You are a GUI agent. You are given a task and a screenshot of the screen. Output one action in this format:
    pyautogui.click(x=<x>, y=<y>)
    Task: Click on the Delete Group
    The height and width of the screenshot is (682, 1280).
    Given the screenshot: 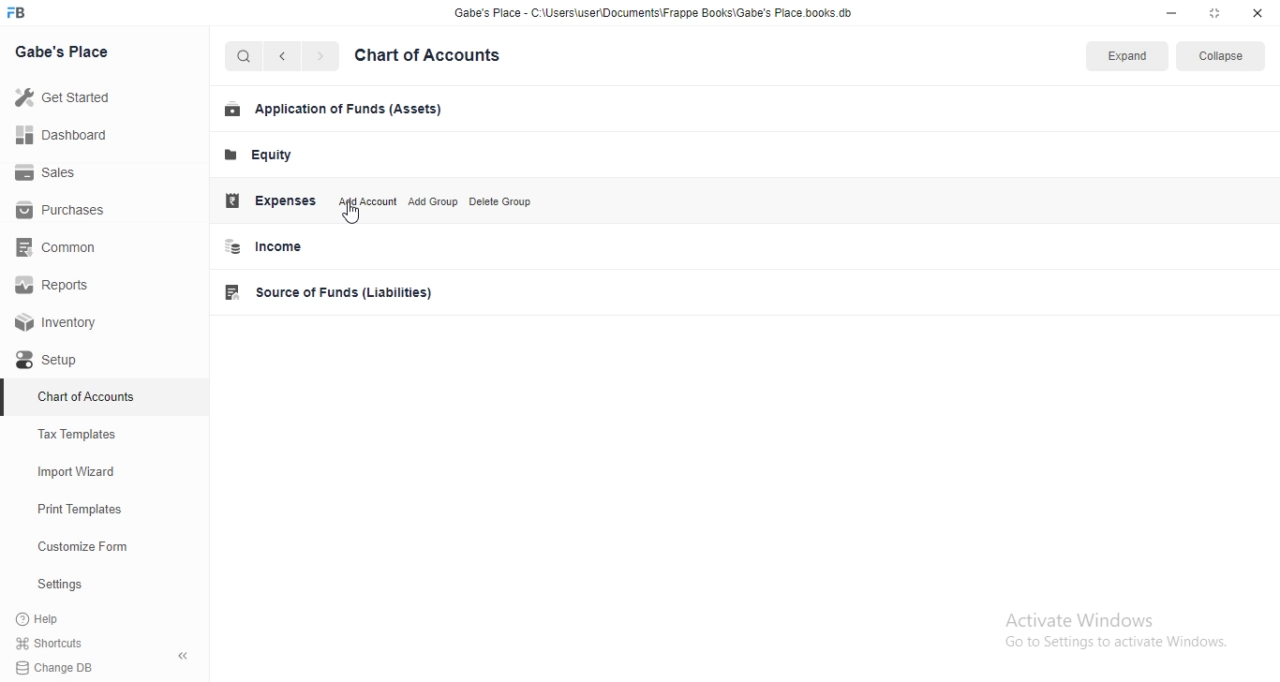 What is the action you would take?
    pyautogui.click(x=514, y=201)
    